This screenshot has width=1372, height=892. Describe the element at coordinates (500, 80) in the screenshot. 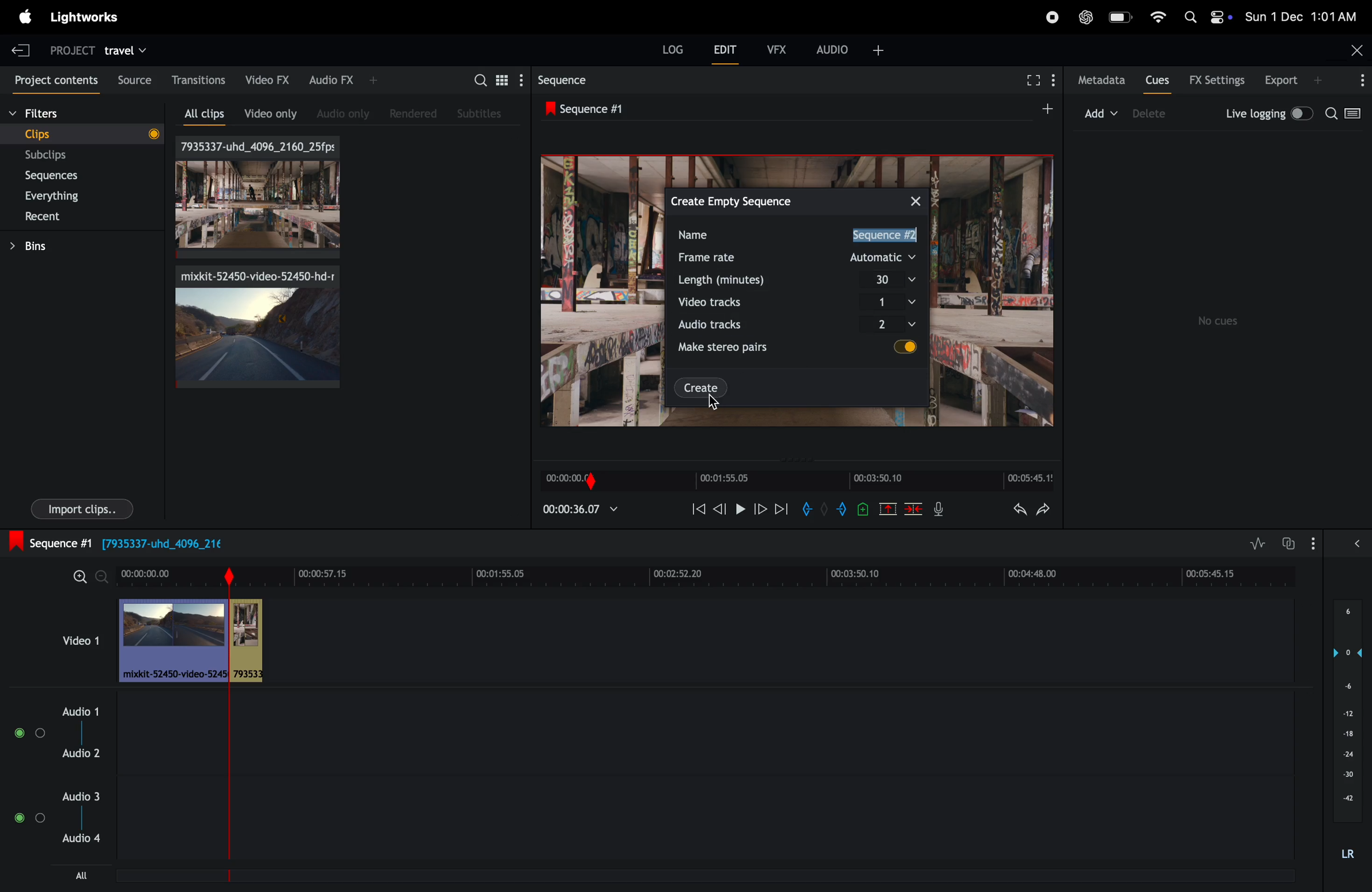

I see `toggle between list view` at that location.